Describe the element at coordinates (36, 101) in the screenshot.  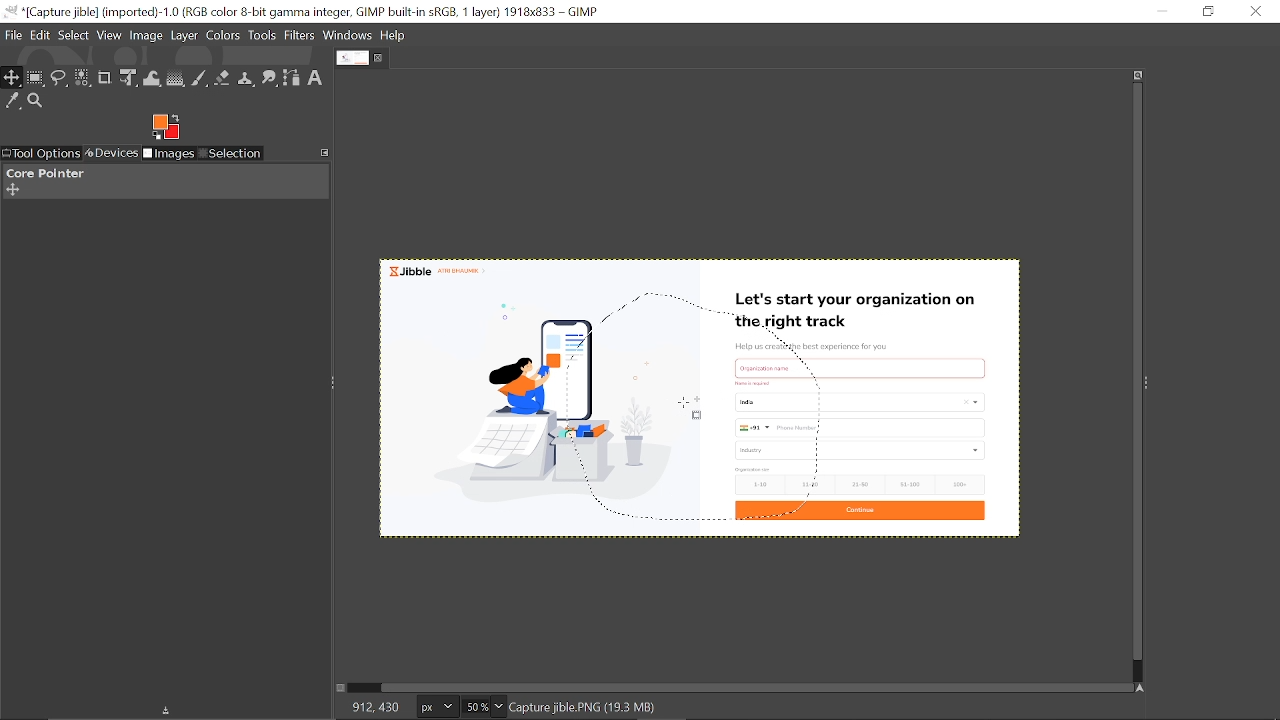
I see `Zoom tool` at that location.